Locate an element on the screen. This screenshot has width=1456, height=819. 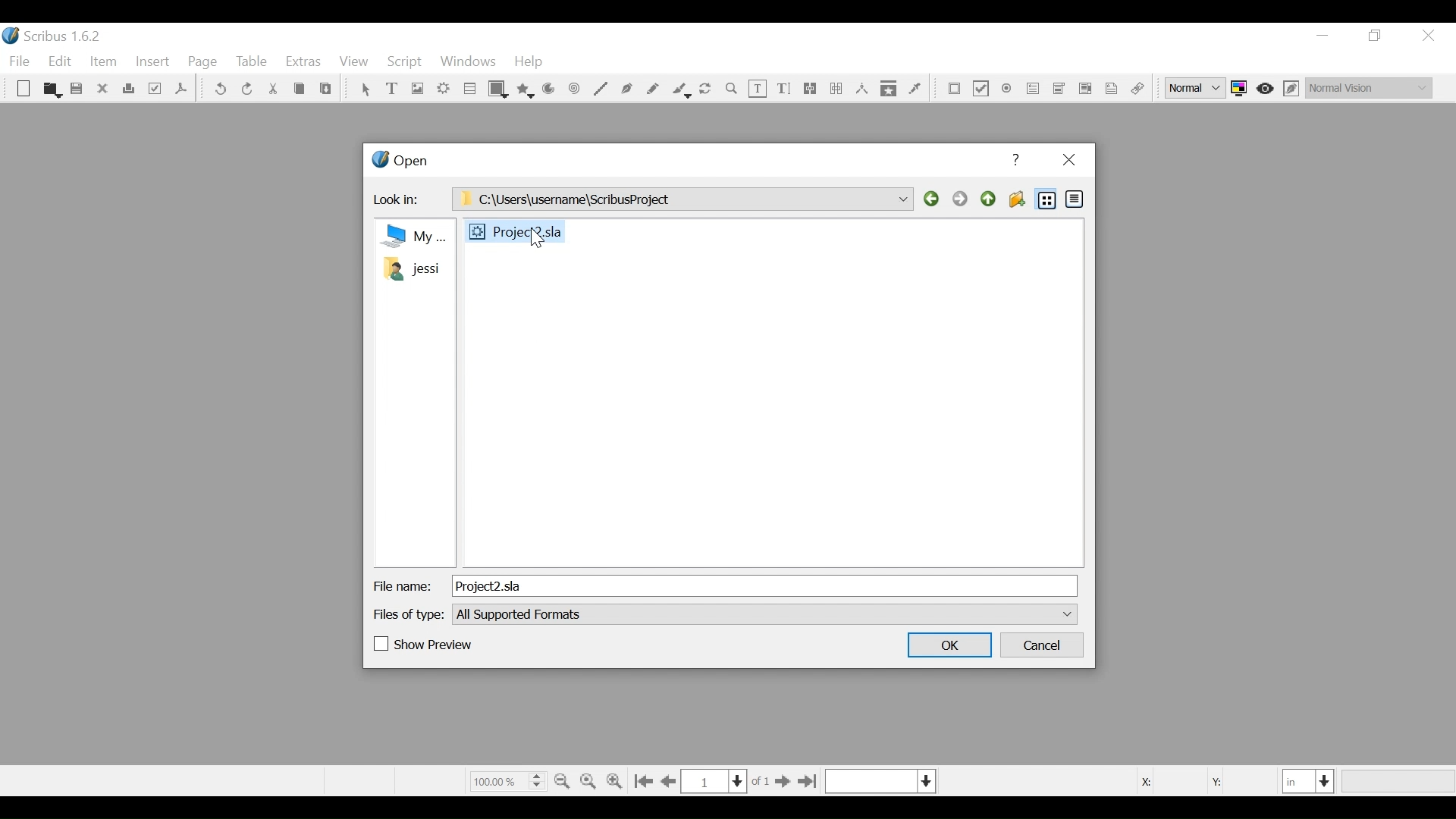
Text Annotation is located at coordinates (1109, 89).